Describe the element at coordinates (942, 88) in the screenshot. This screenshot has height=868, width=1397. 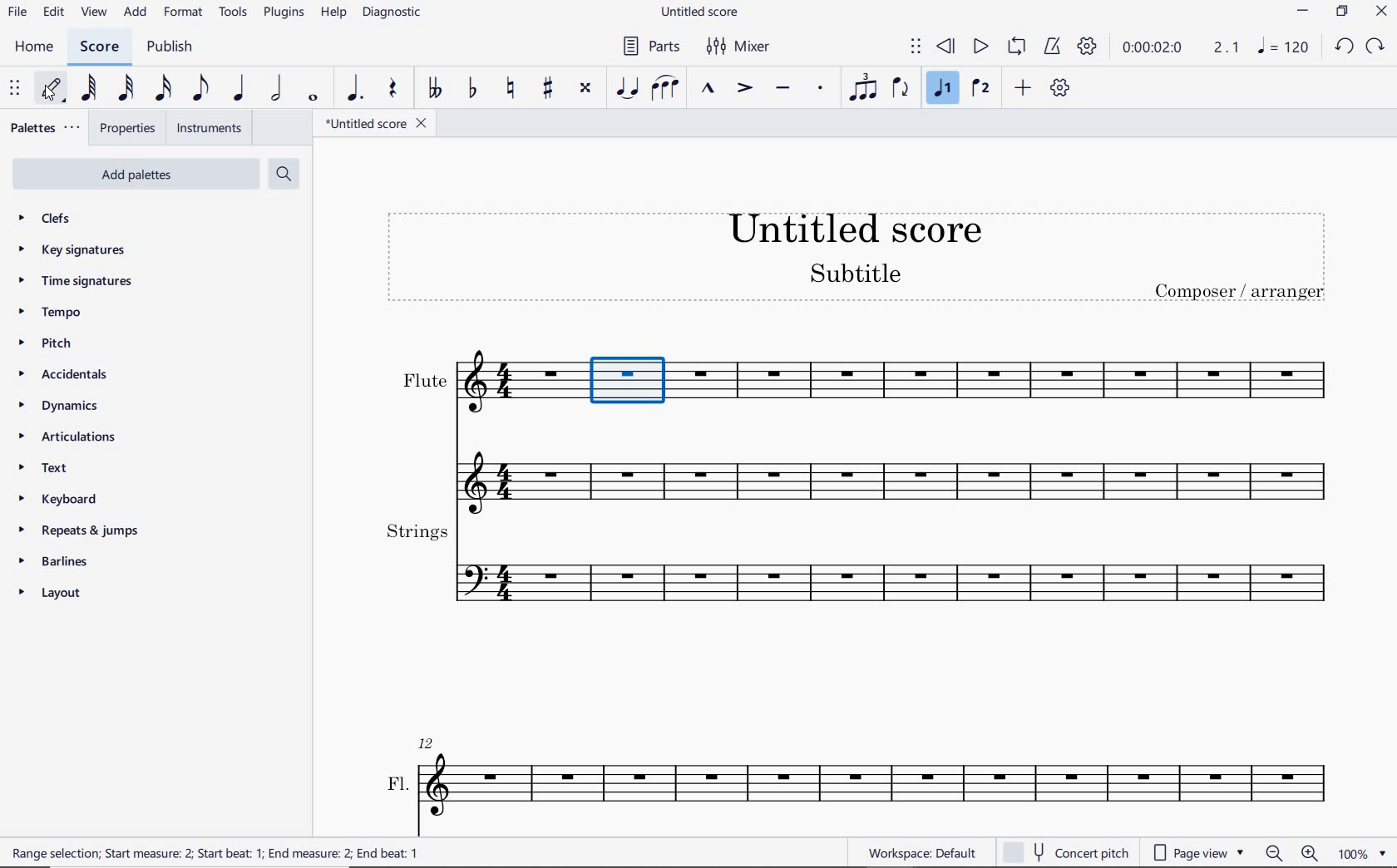
I see `VOICE 1` at that location.